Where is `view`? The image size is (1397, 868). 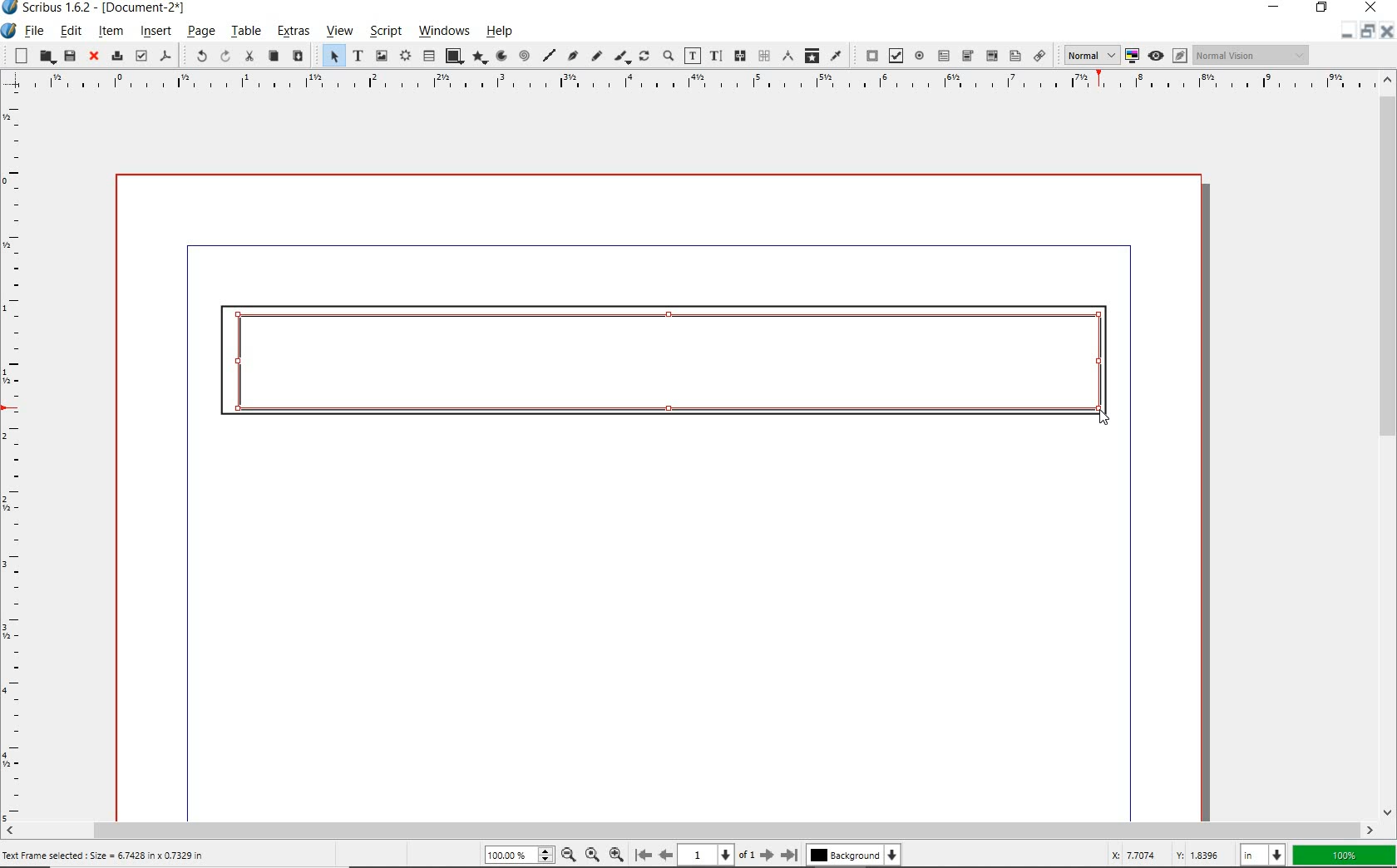 view is located at coordinates (341, 32).